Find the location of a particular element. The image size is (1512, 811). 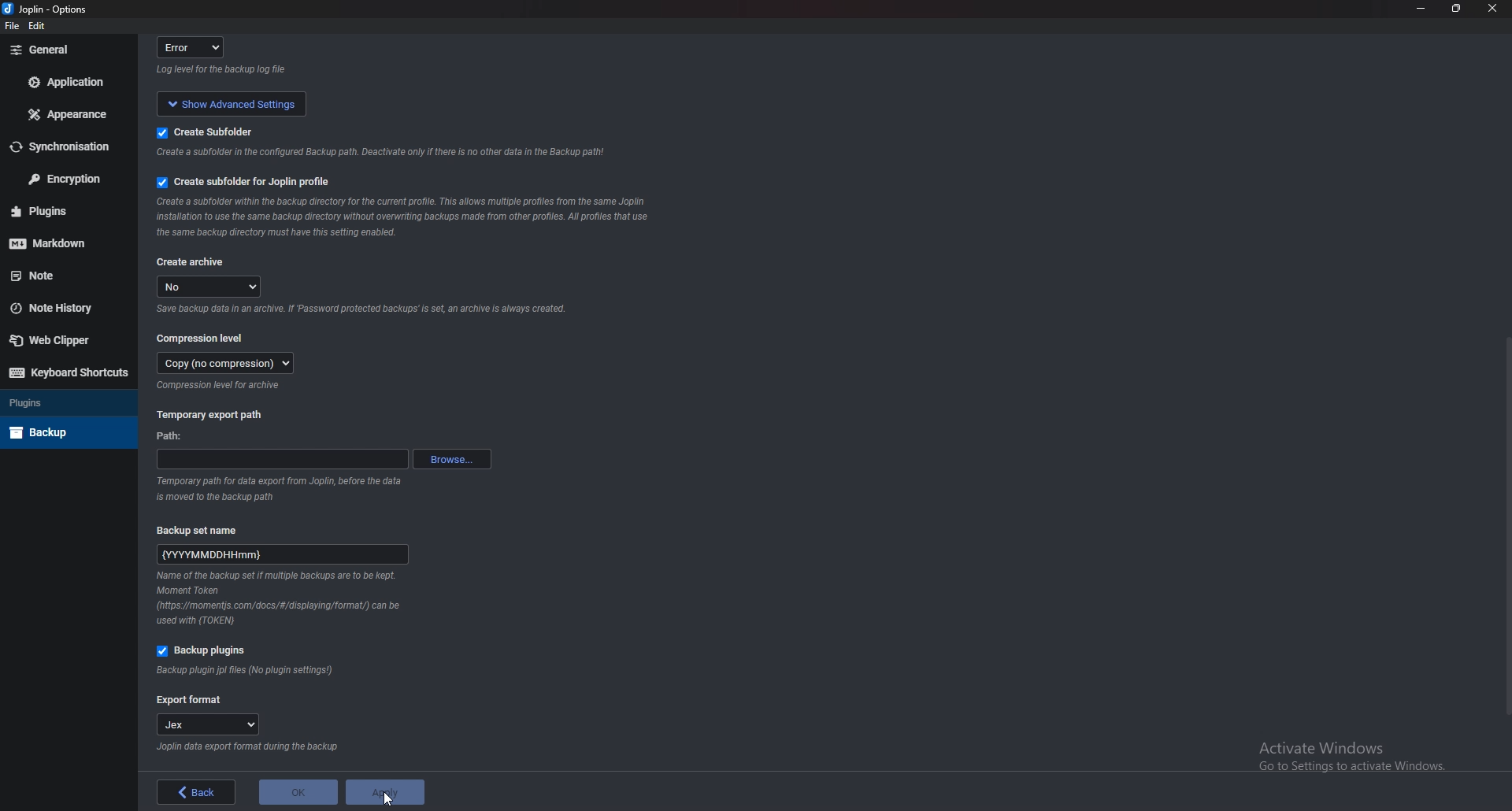

Back up is located at coordinates (64, 432).